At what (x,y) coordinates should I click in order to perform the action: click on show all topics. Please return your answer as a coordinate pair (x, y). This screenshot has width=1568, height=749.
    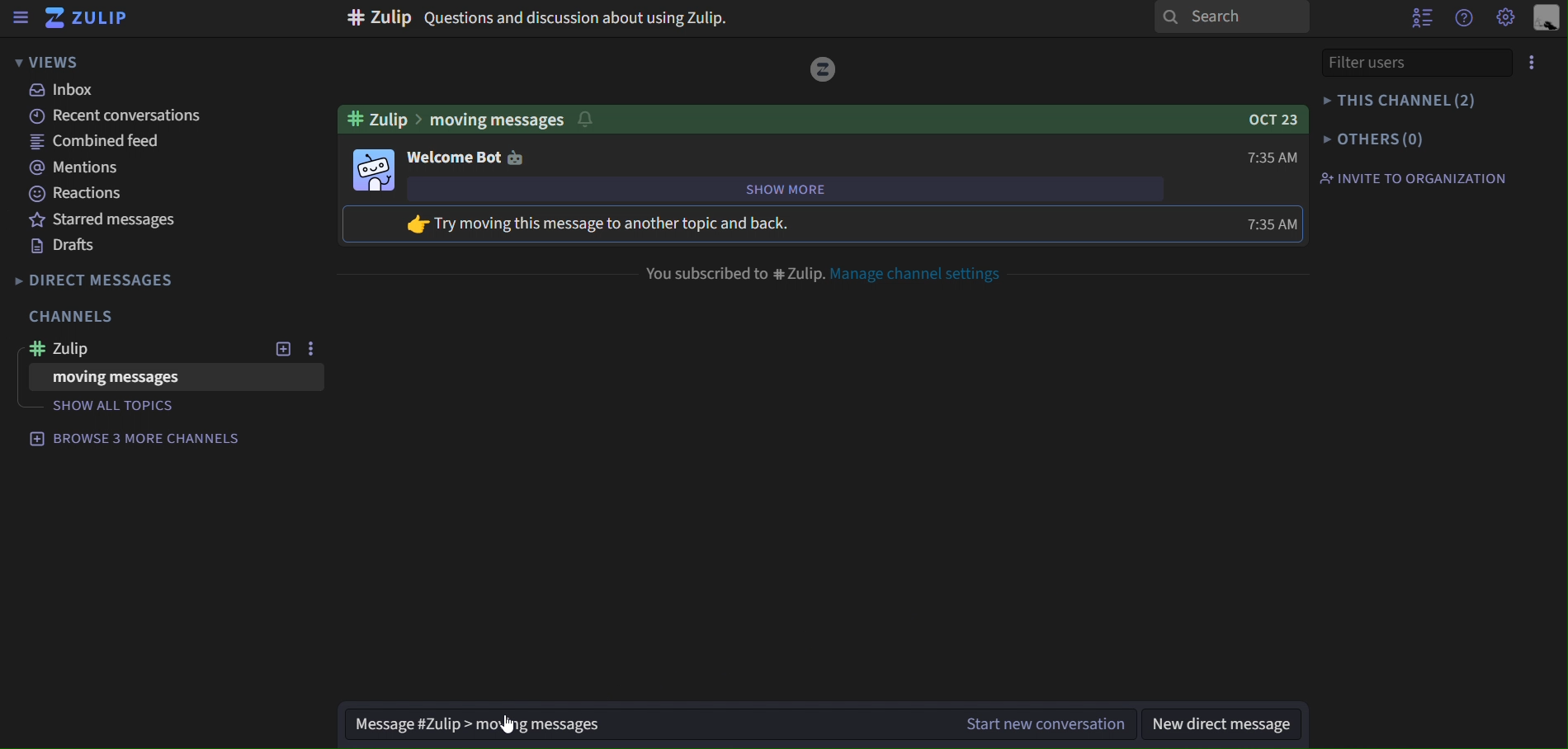
    Looking at the image, I should click on (124, 407).